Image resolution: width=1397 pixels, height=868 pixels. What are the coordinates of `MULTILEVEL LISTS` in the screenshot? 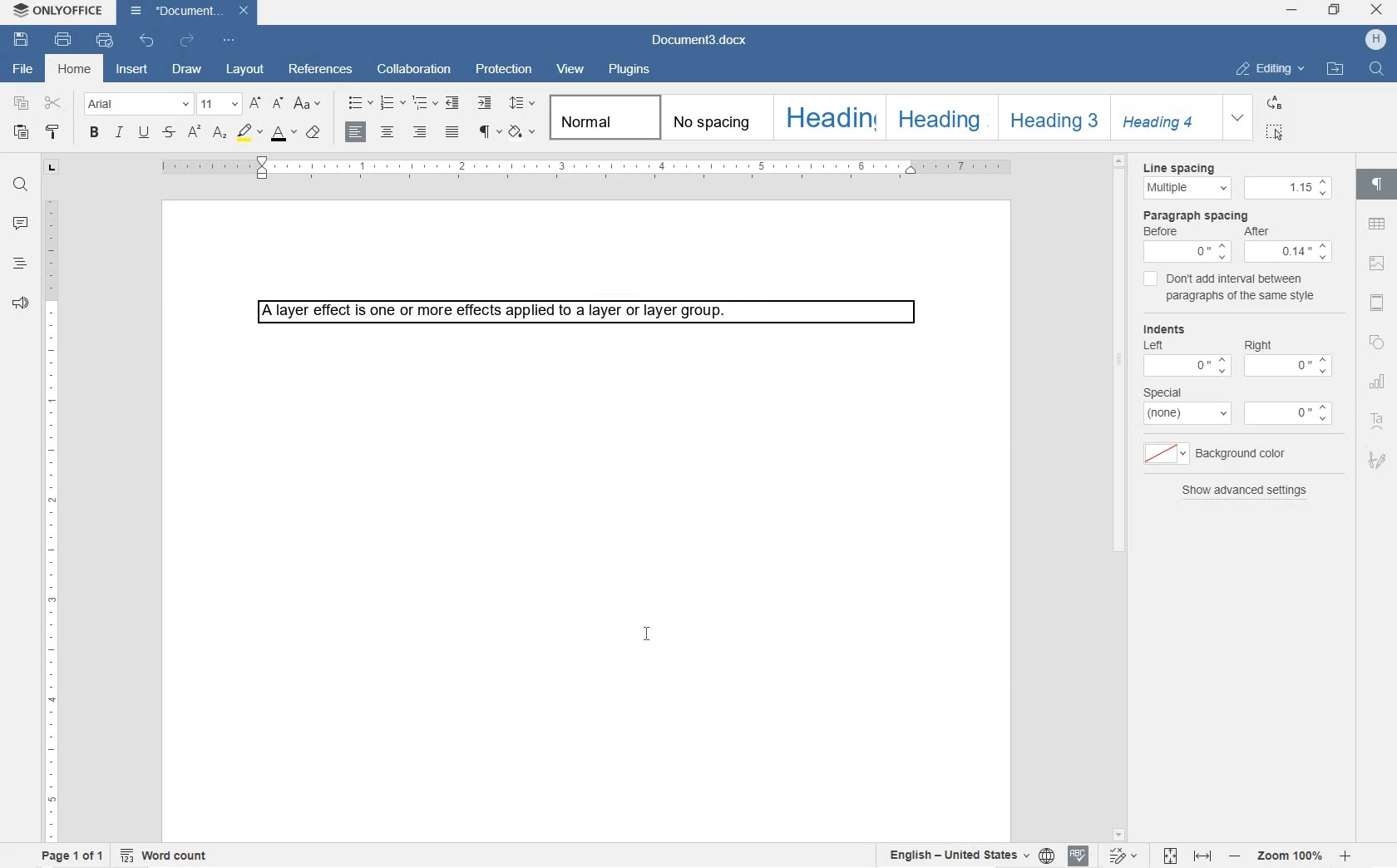 It's located at (425, 103).